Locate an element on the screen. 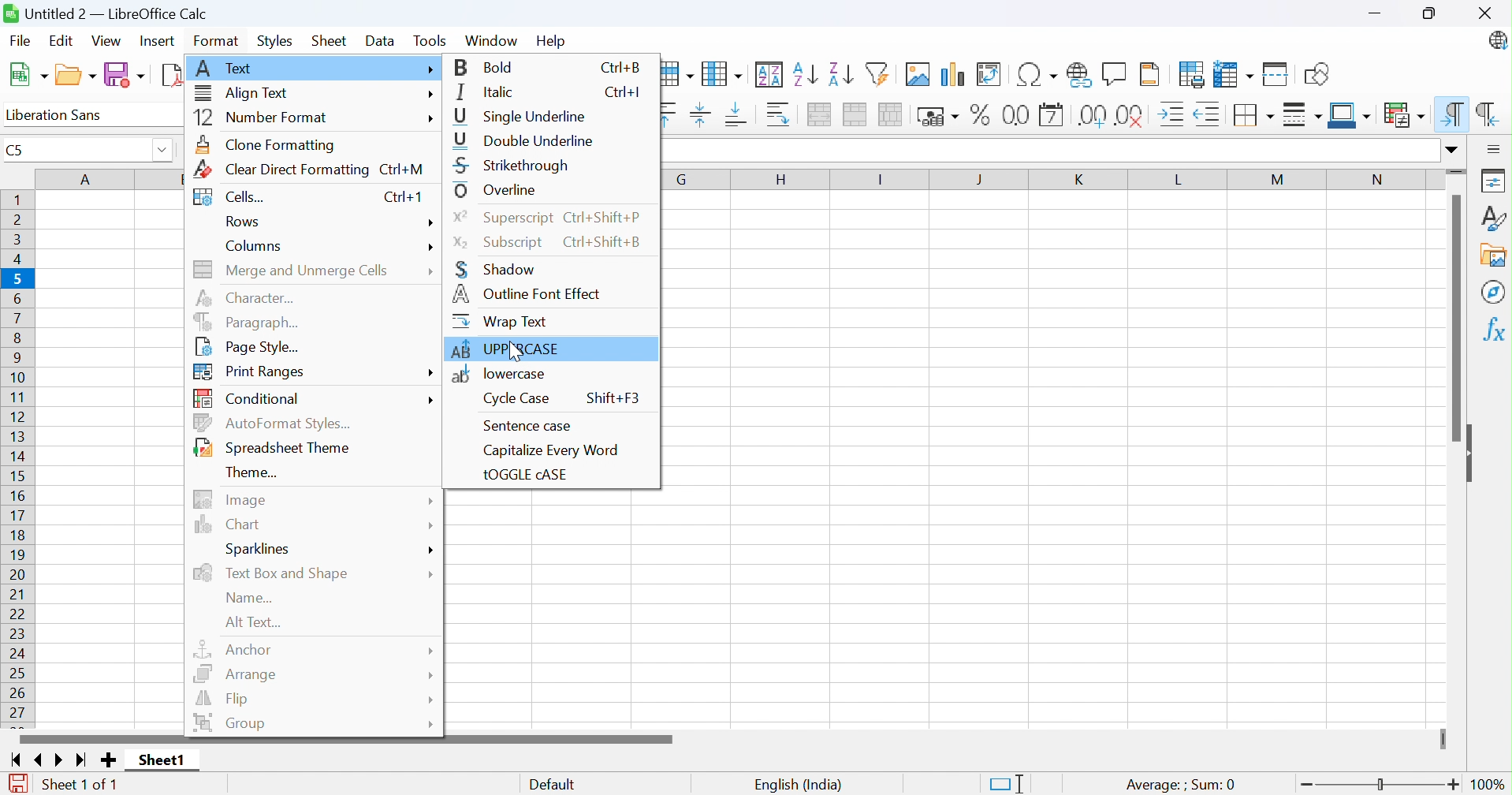  Format as currency is located at coordinates (939, 118).